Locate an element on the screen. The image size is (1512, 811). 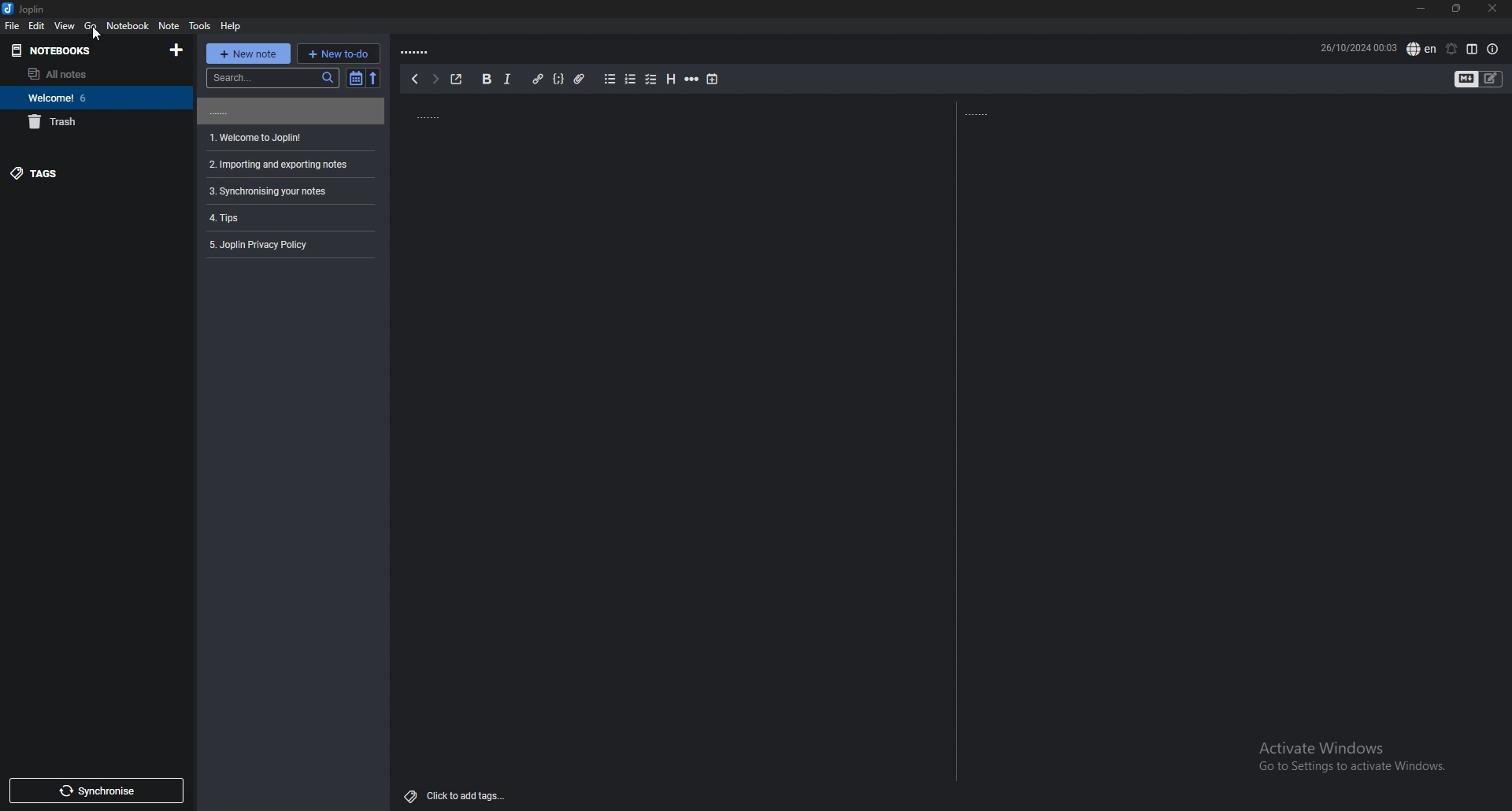
note 1 is located at coordinates (289, 111).